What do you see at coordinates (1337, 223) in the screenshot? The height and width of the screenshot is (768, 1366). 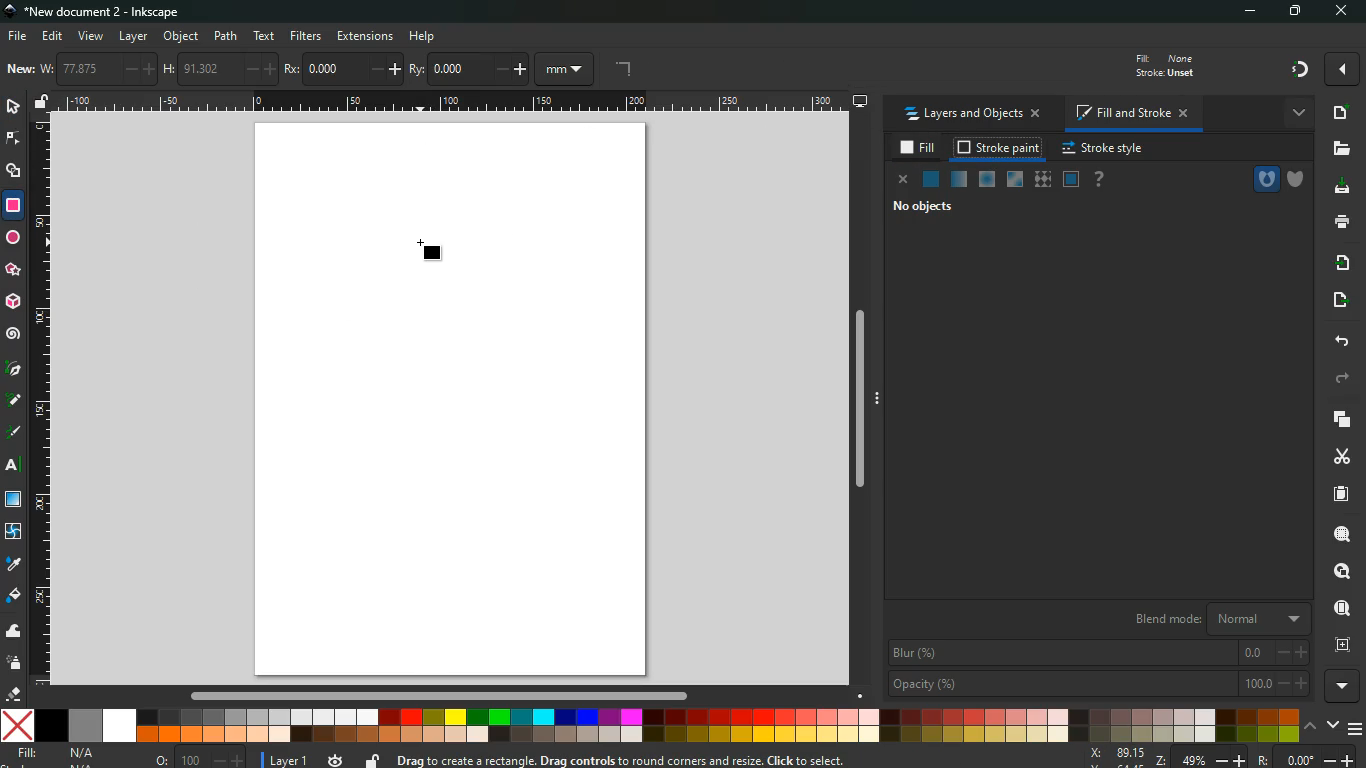 I see `print` at bounding box center [1337, 223].